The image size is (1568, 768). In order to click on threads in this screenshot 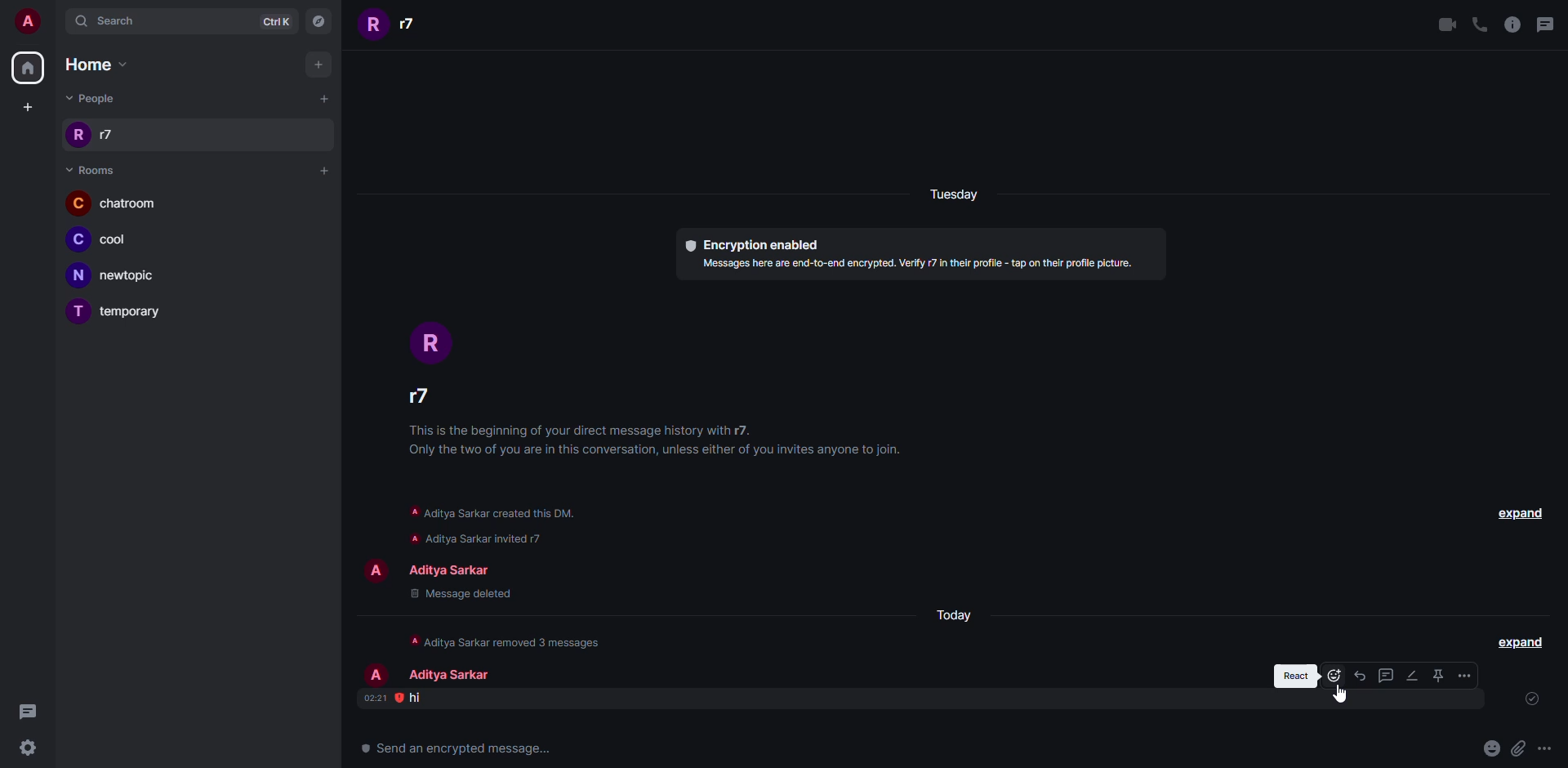, I will do `click(1549, 23)`.